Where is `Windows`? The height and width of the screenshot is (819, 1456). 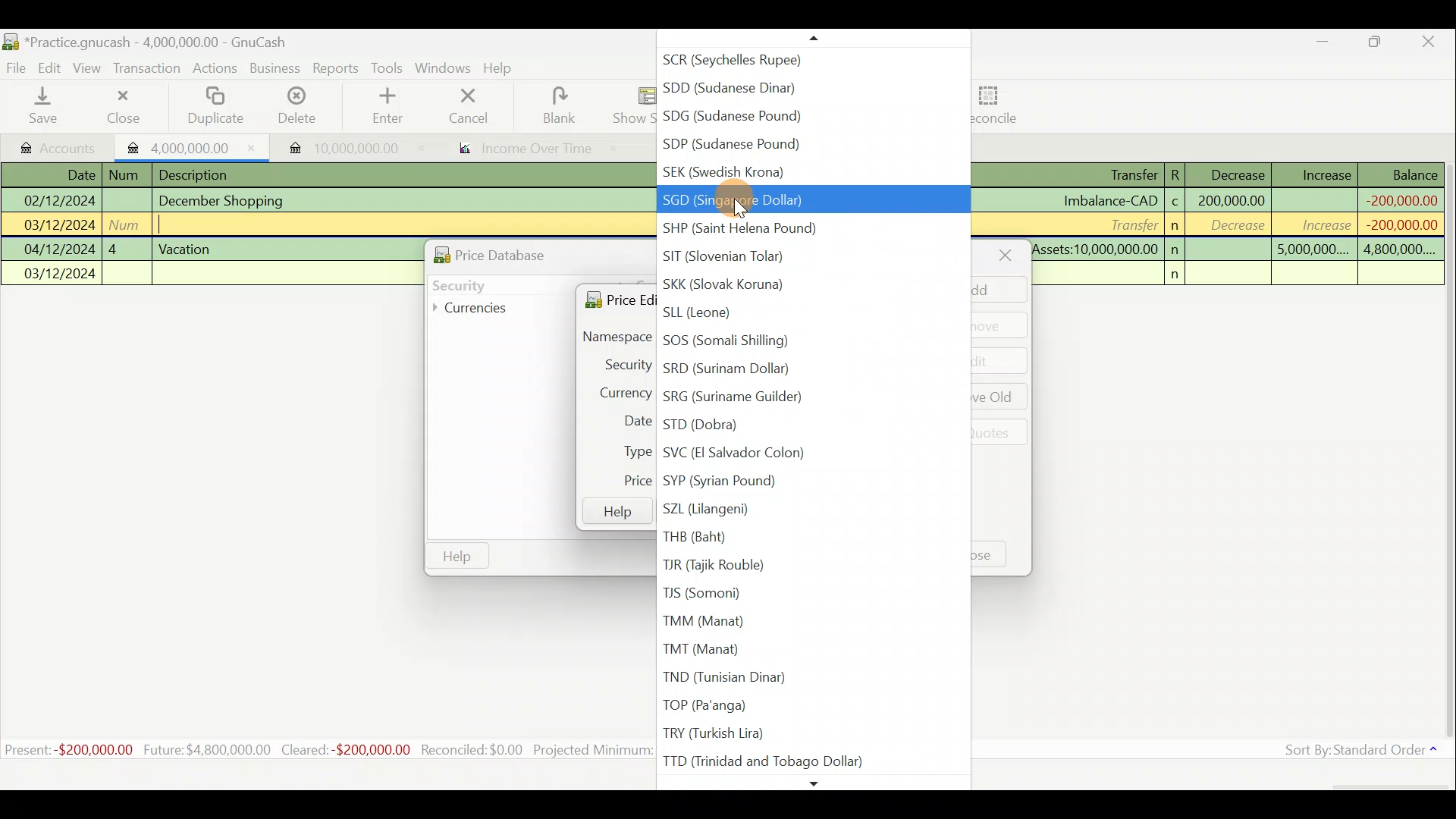
Windows is located at coordinates (443, 68).